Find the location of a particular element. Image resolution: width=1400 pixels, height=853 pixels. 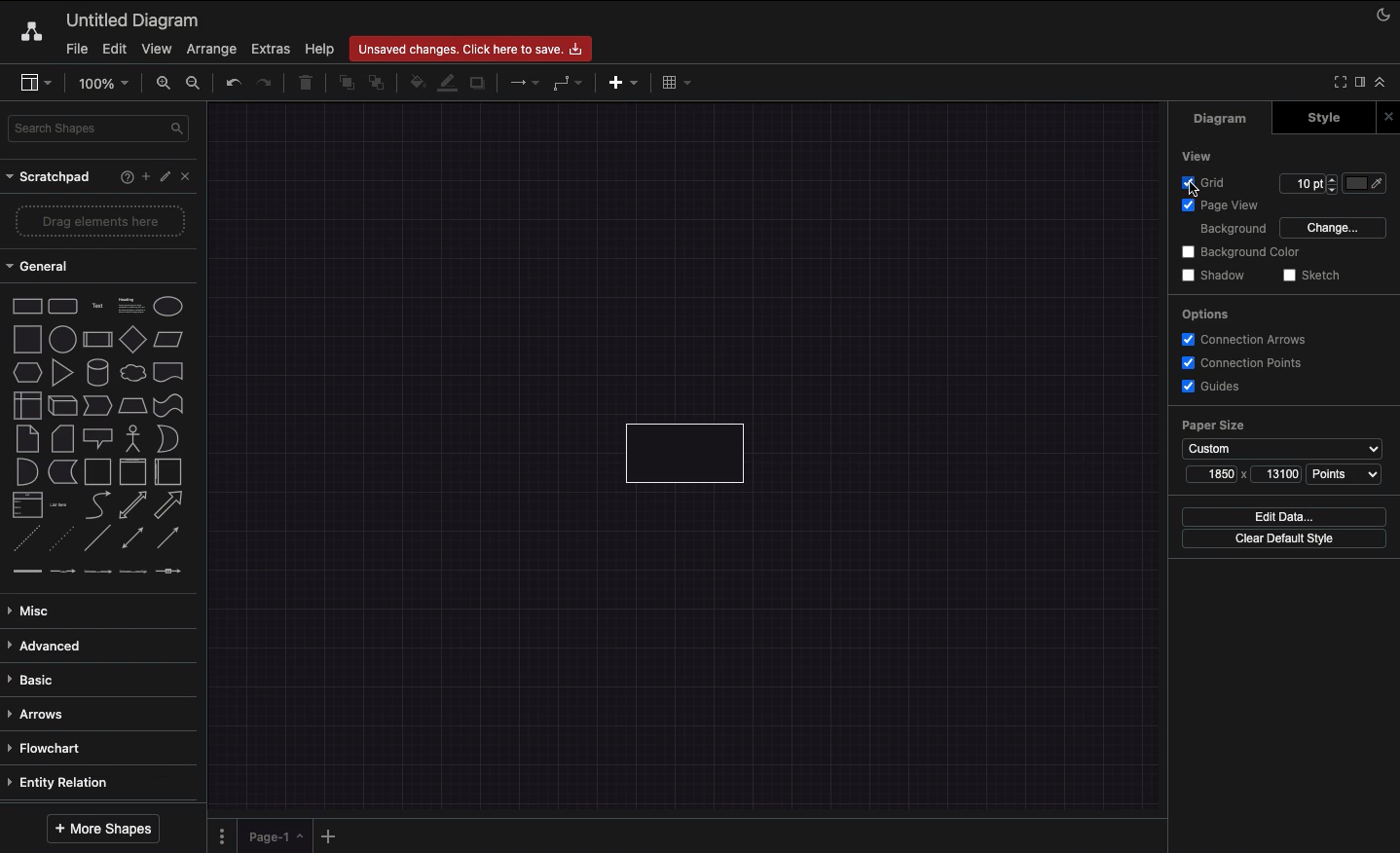

Options is located at coordinates (1209, 314).